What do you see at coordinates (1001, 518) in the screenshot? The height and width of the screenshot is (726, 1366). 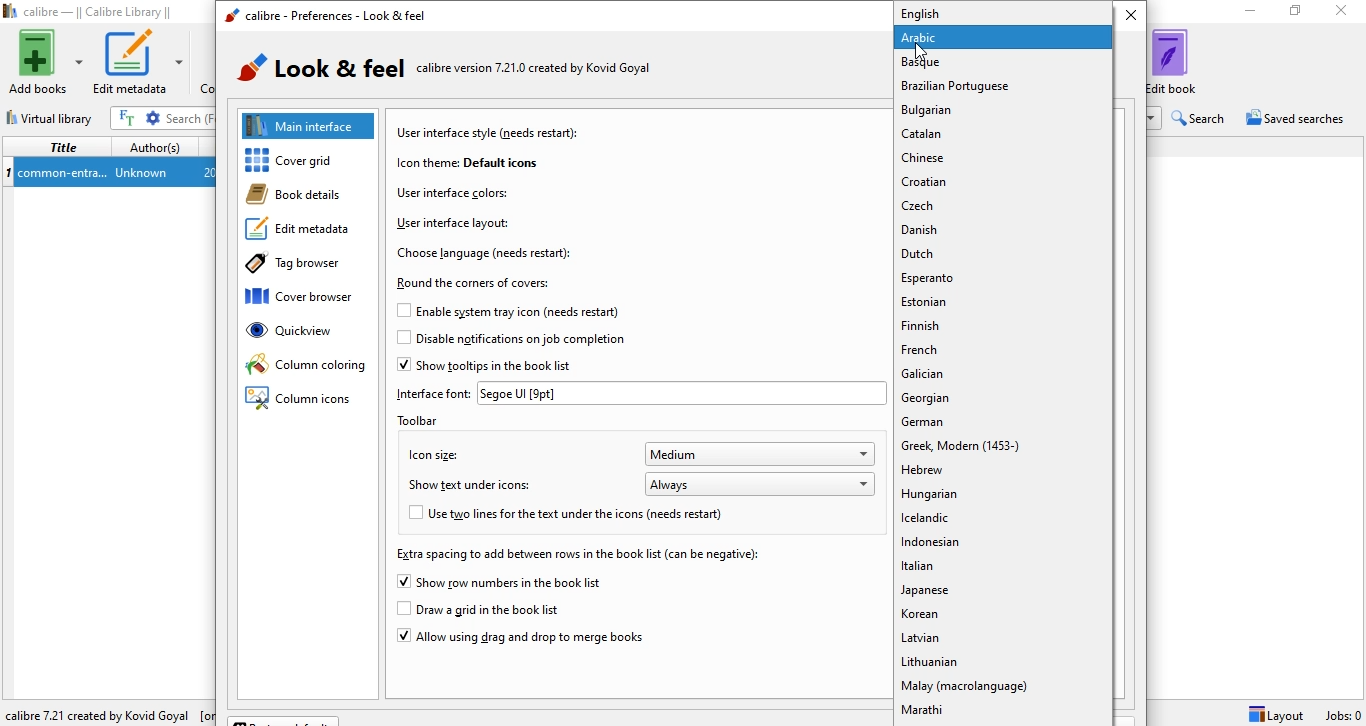 I see `icelandic` at bounding box center [1001, 518].